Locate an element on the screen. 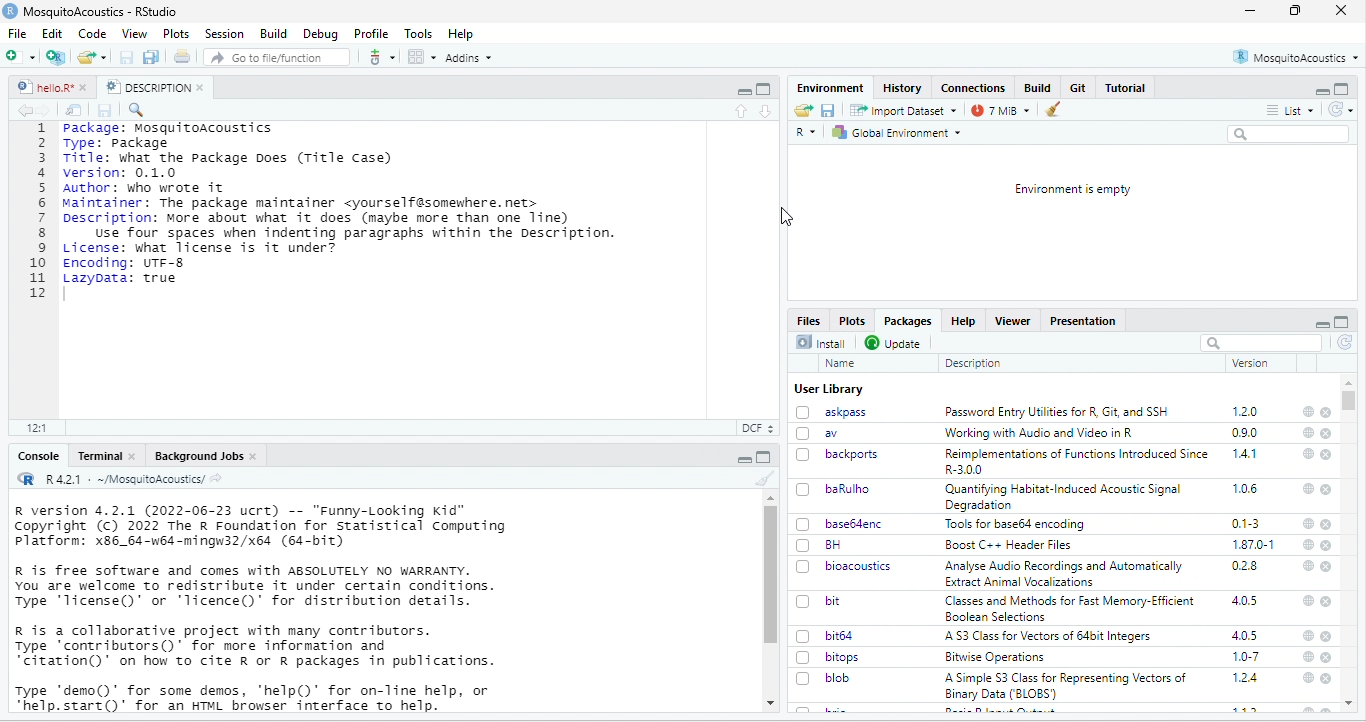  Password Entry Utilities for R. Git. and SSH is located at coordinates (1058, 412).